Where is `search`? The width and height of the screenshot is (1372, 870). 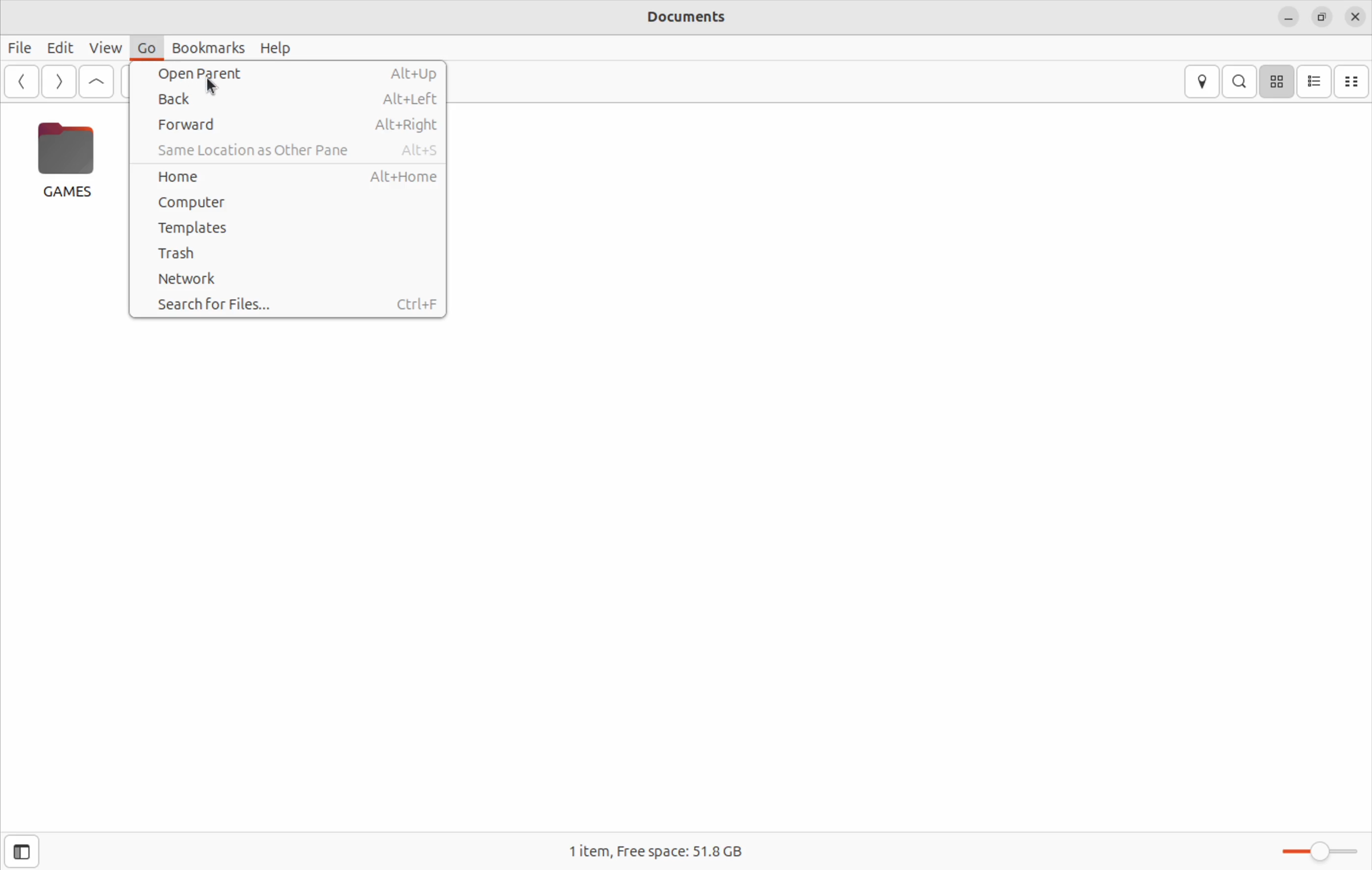
search is located at coordinates (1240, 83).